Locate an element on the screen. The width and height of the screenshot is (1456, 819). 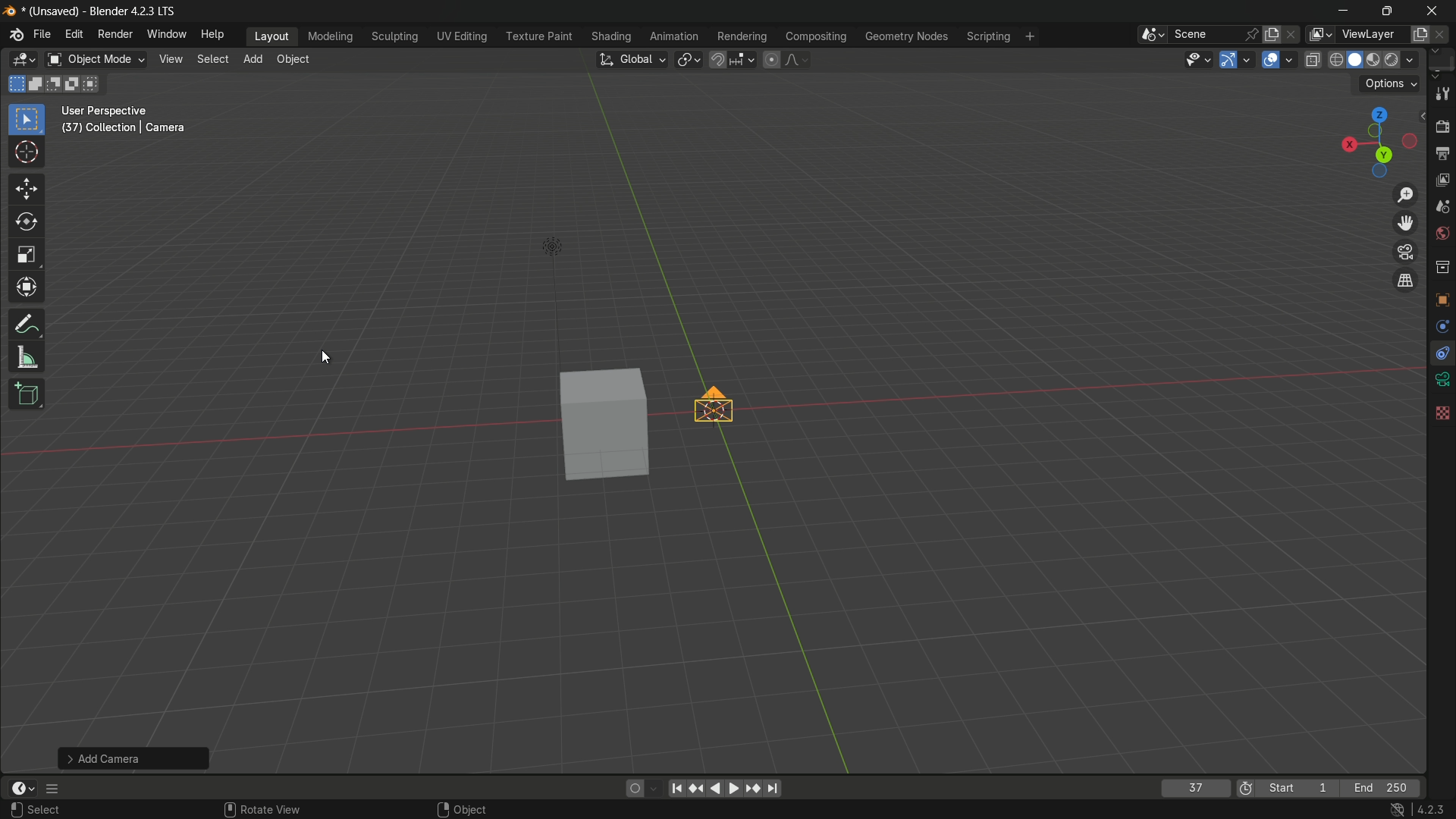
invert existing selection is located at coordinates (76, 83).